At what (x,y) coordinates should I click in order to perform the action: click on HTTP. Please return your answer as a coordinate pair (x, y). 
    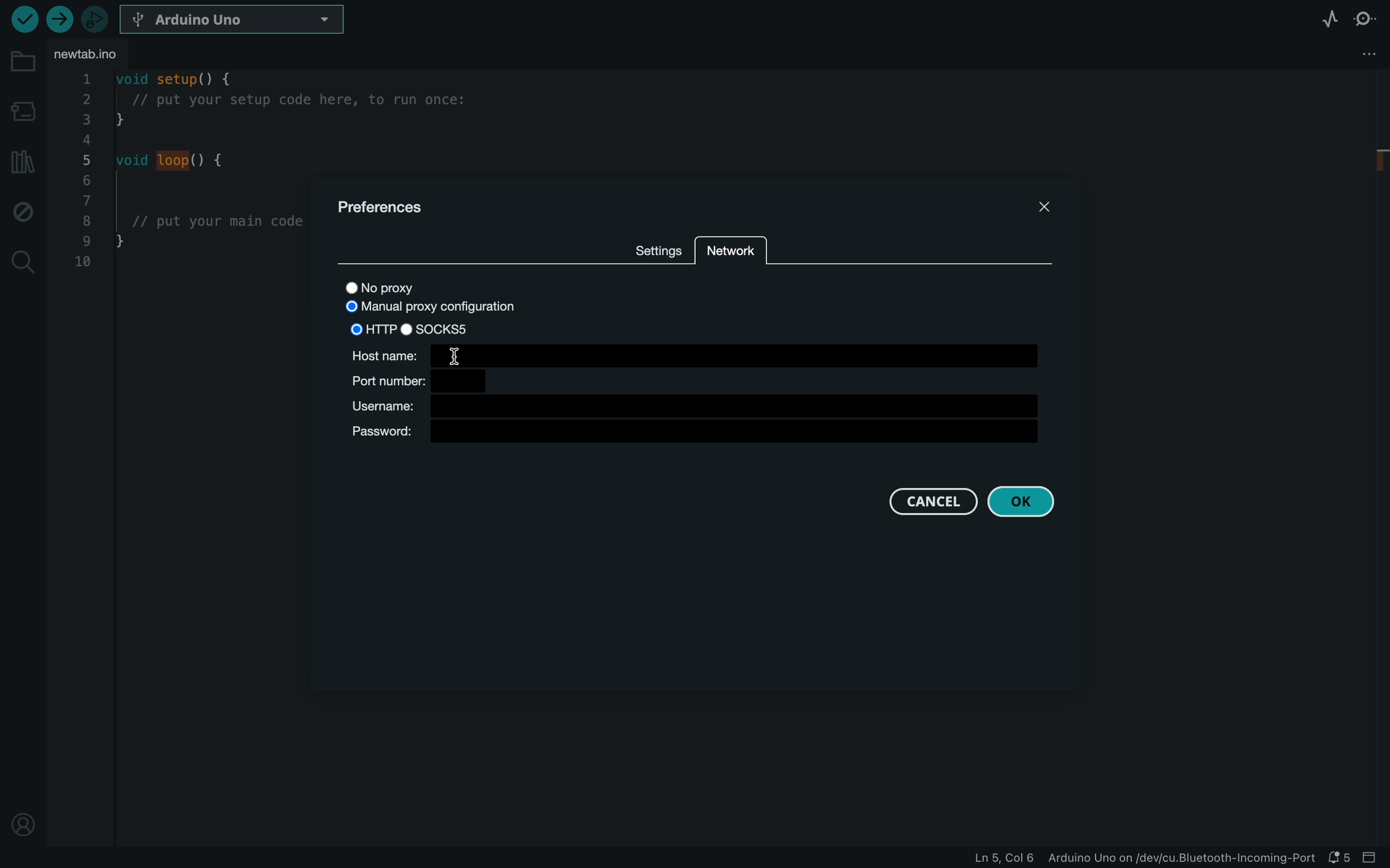
    Looking at the image, I should click on (372, 327).